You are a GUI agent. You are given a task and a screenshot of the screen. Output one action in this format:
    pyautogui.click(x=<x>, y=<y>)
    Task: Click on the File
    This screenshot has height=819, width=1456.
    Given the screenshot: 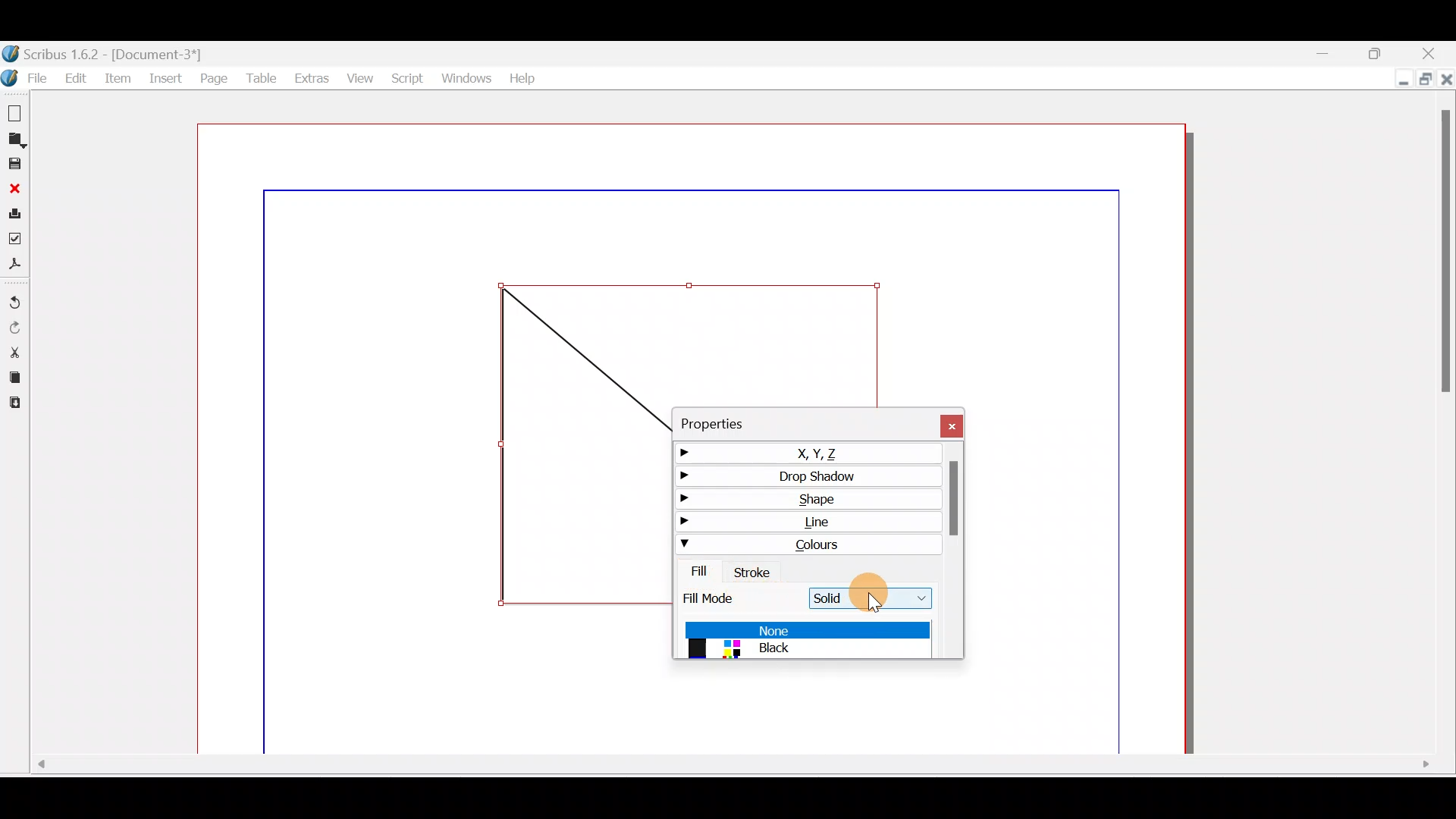 What is the action you would take?
    pyautogui.click(x=24, y=78)
    